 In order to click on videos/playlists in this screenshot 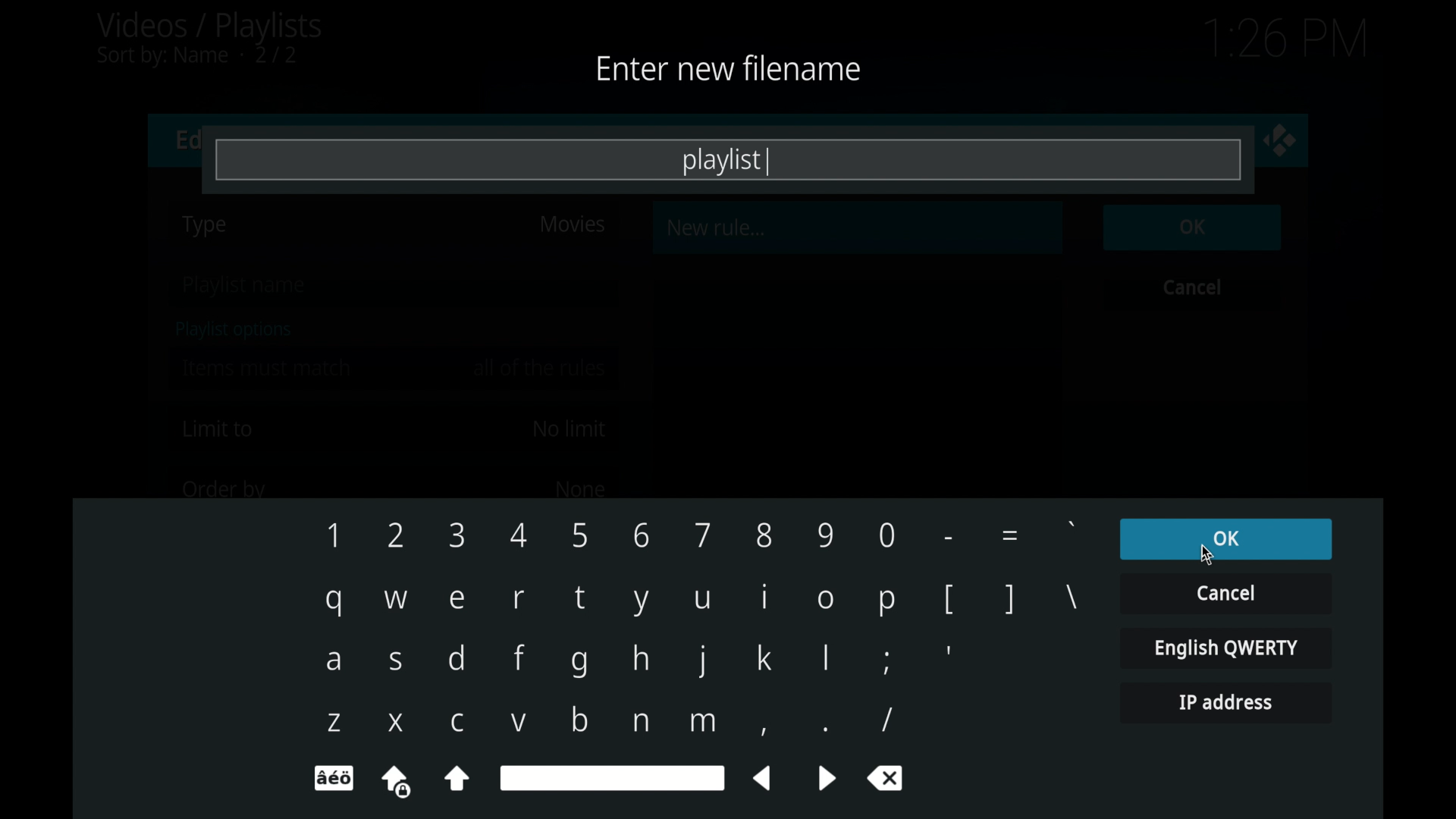, I will do `click(209, 39)`.